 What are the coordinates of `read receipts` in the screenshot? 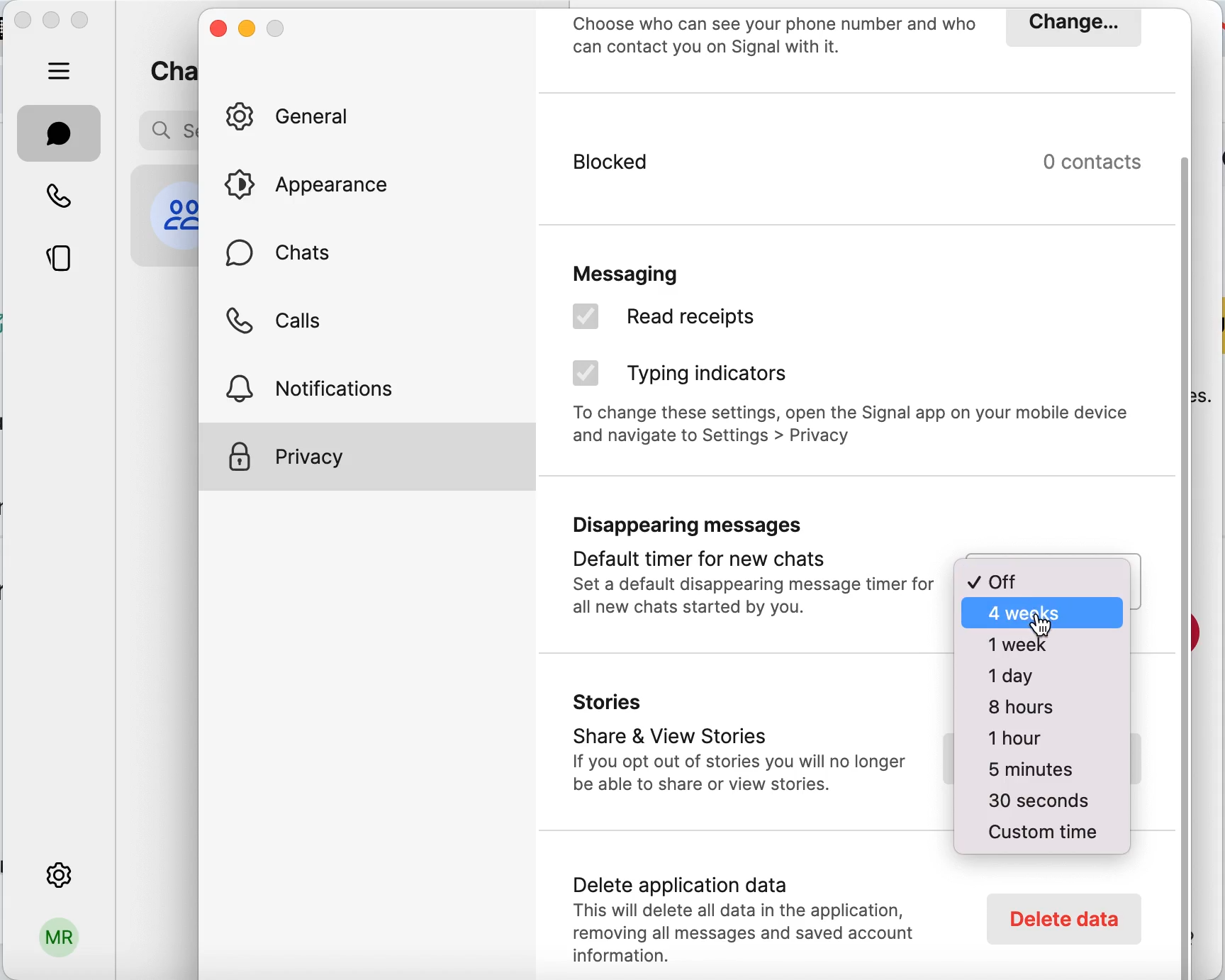 It's located at (698, 321).